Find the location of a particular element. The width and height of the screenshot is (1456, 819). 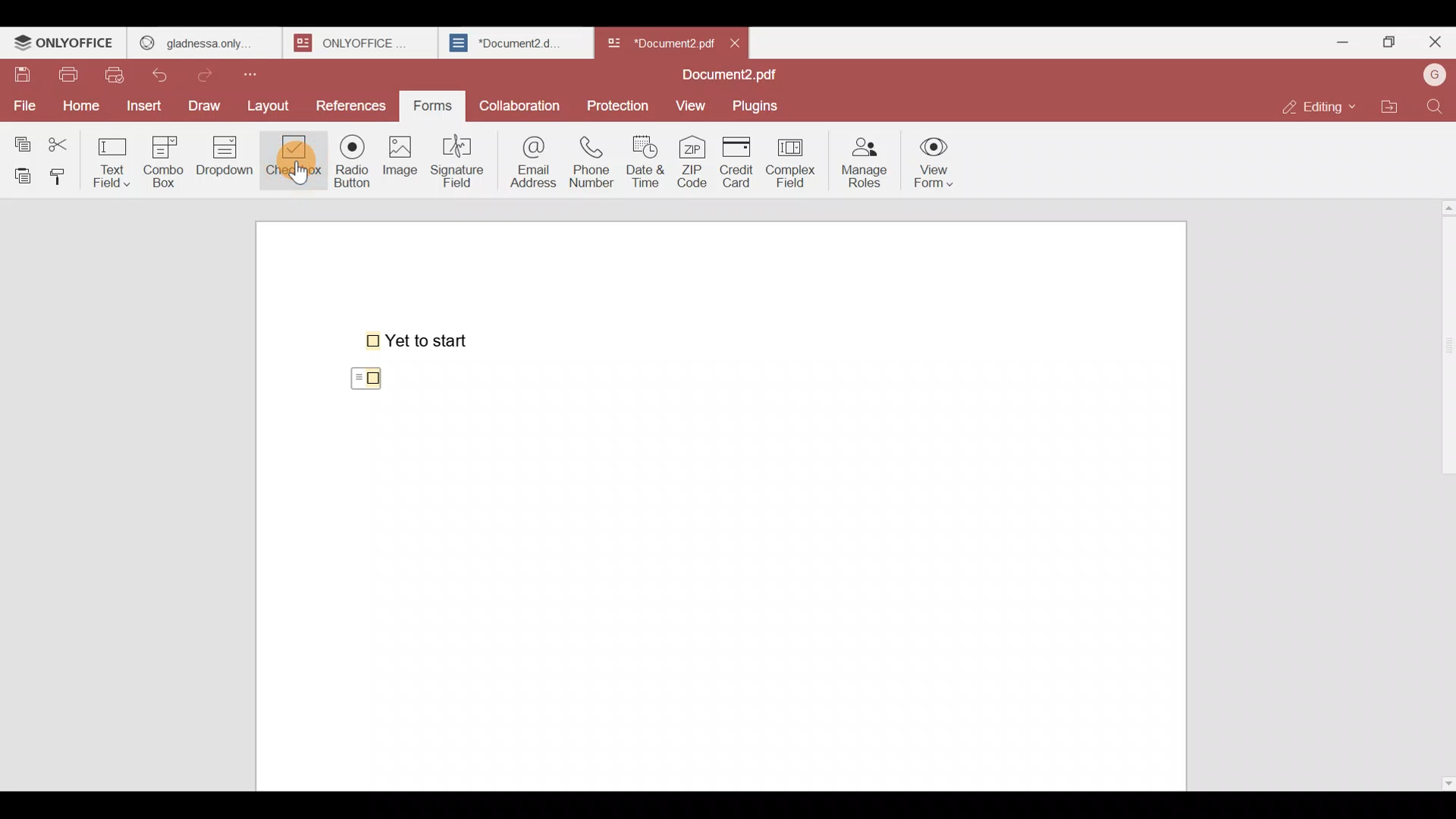

Complex field is located at coordinates (789, 164).